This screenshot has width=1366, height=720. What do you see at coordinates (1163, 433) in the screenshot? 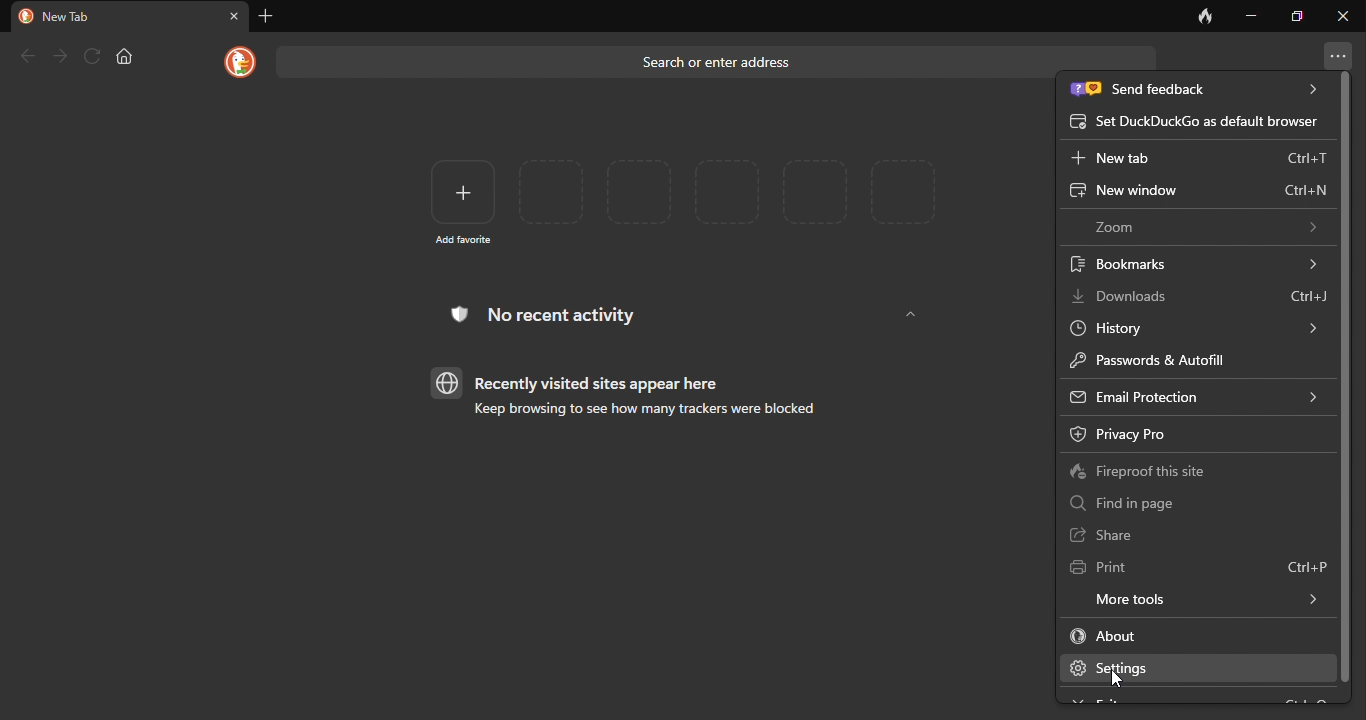
I see `privacy pro` at bounding box center [1163, 433].